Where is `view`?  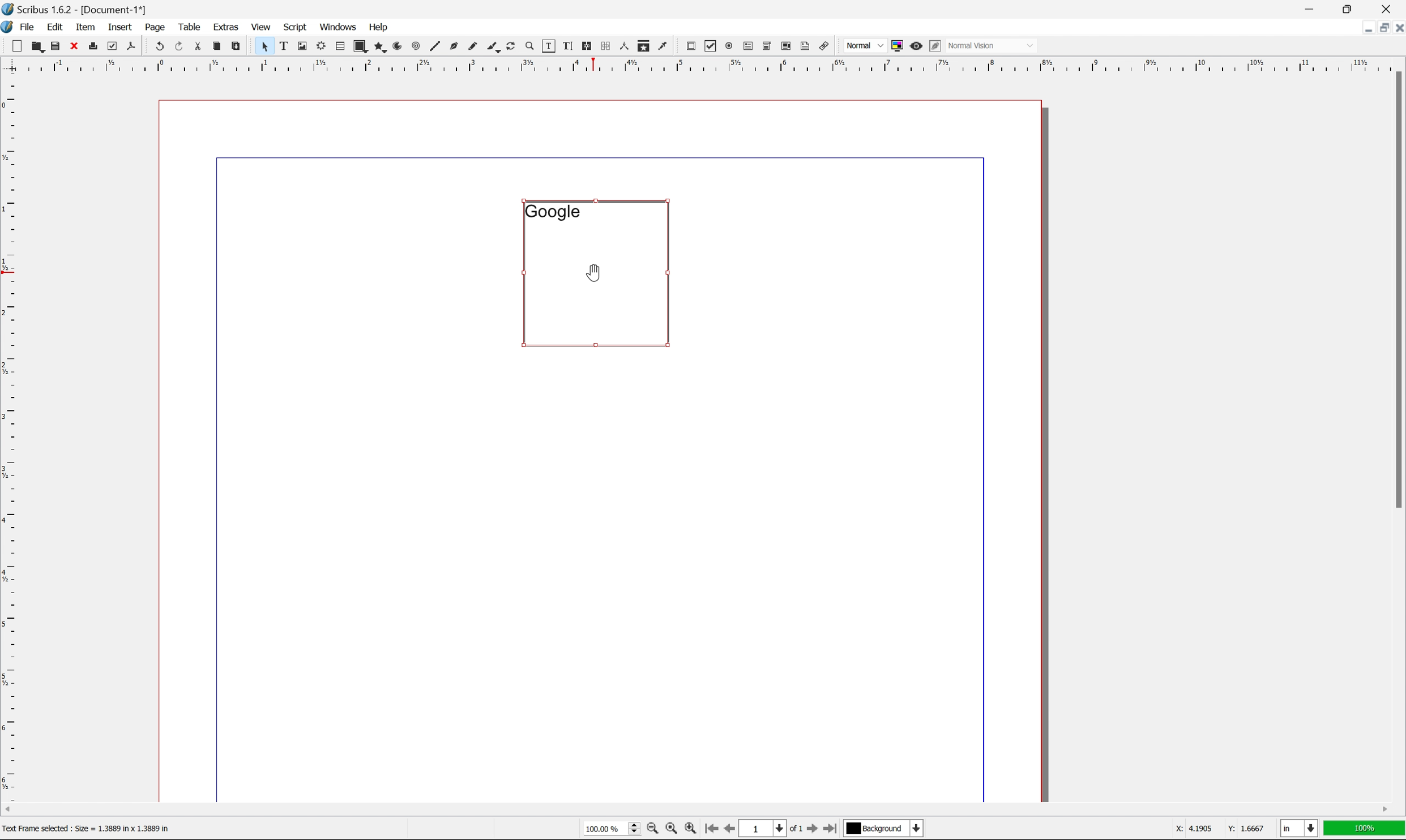
view is located at coordinates (263, 26).